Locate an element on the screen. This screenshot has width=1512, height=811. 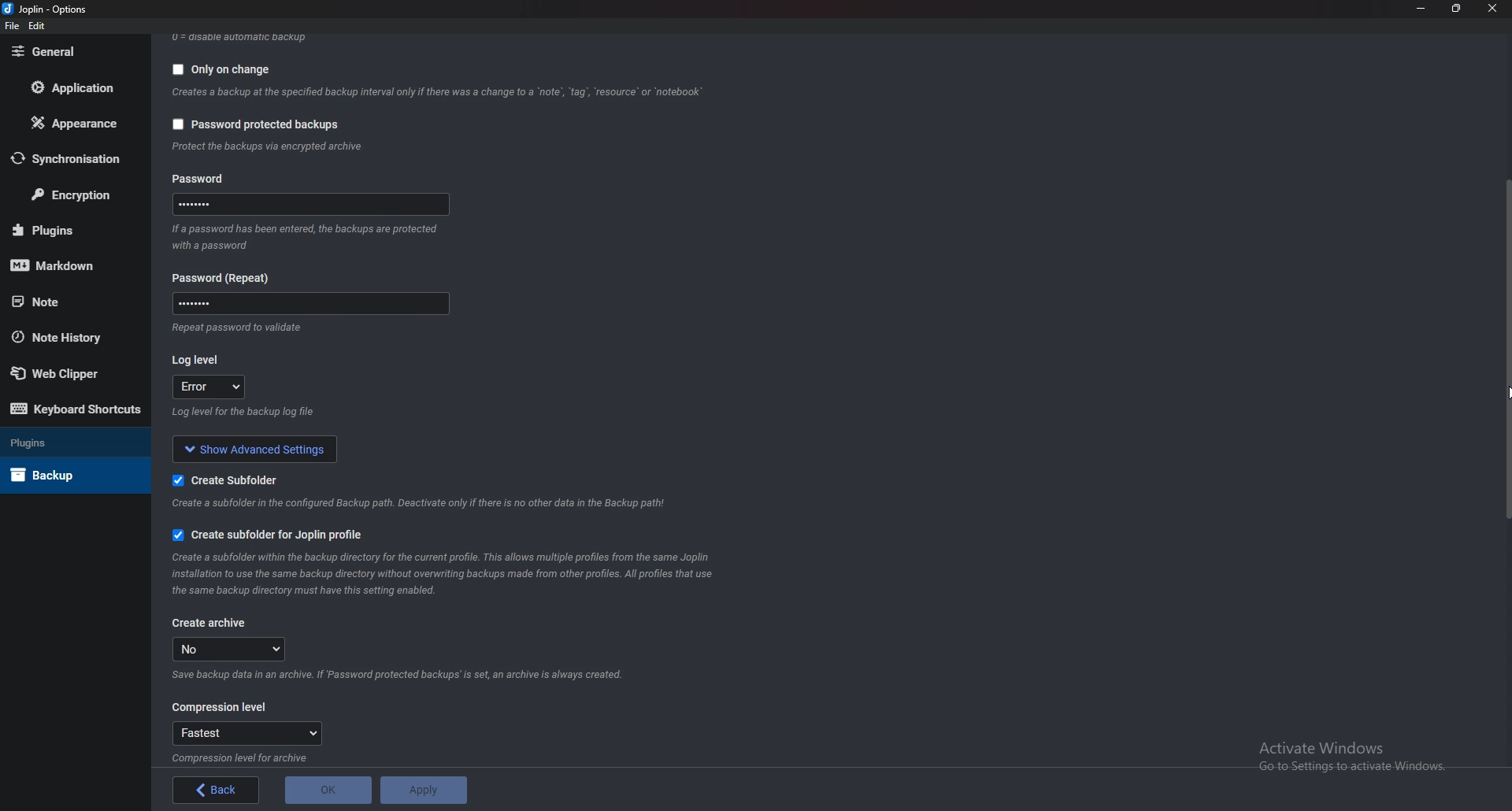
Appearance is located at coordinates (74, 124).